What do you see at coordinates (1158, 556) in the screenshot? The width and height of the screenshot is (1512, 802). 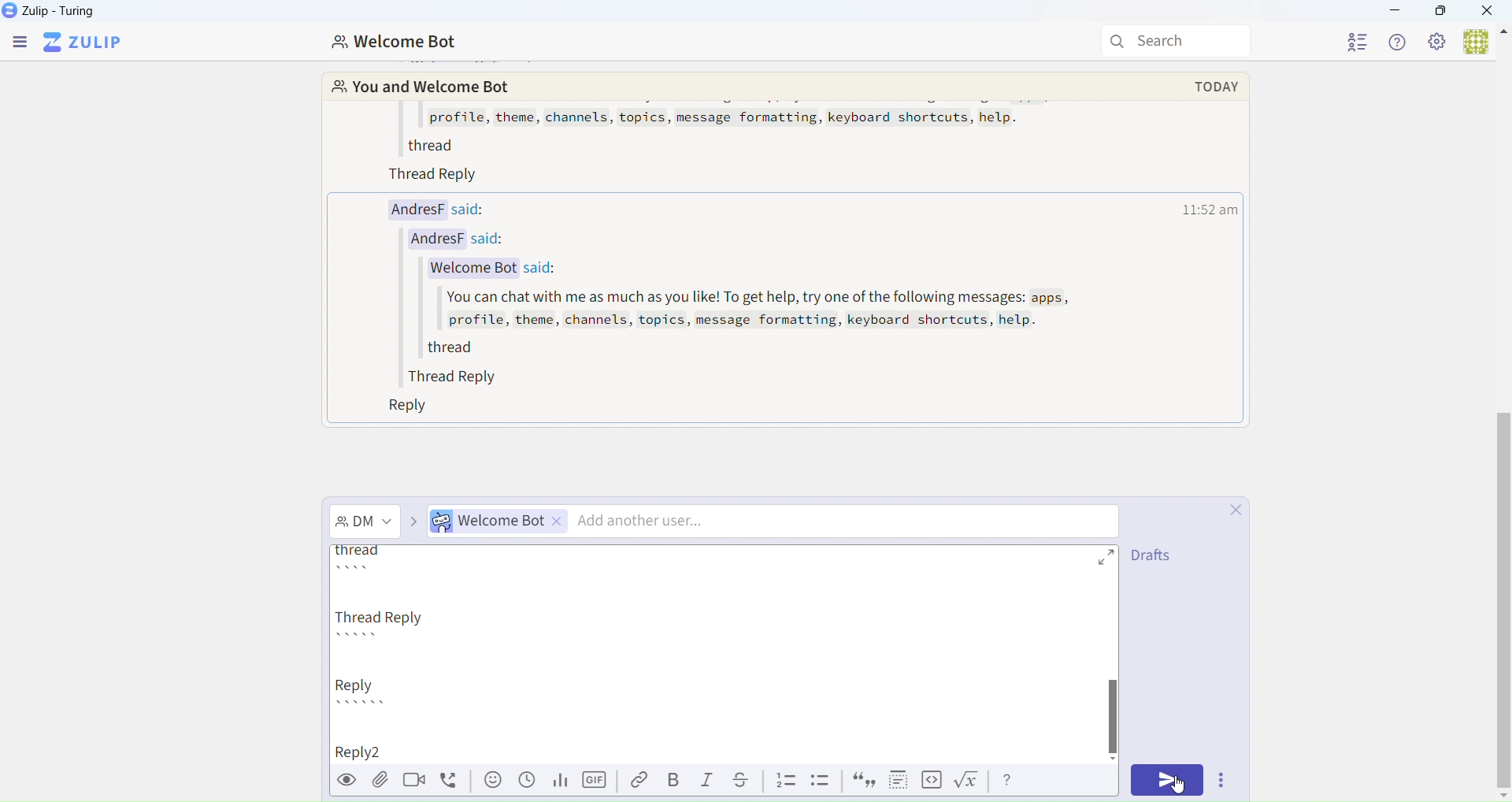 I see `drafts` at bounding box center [1158, 556].